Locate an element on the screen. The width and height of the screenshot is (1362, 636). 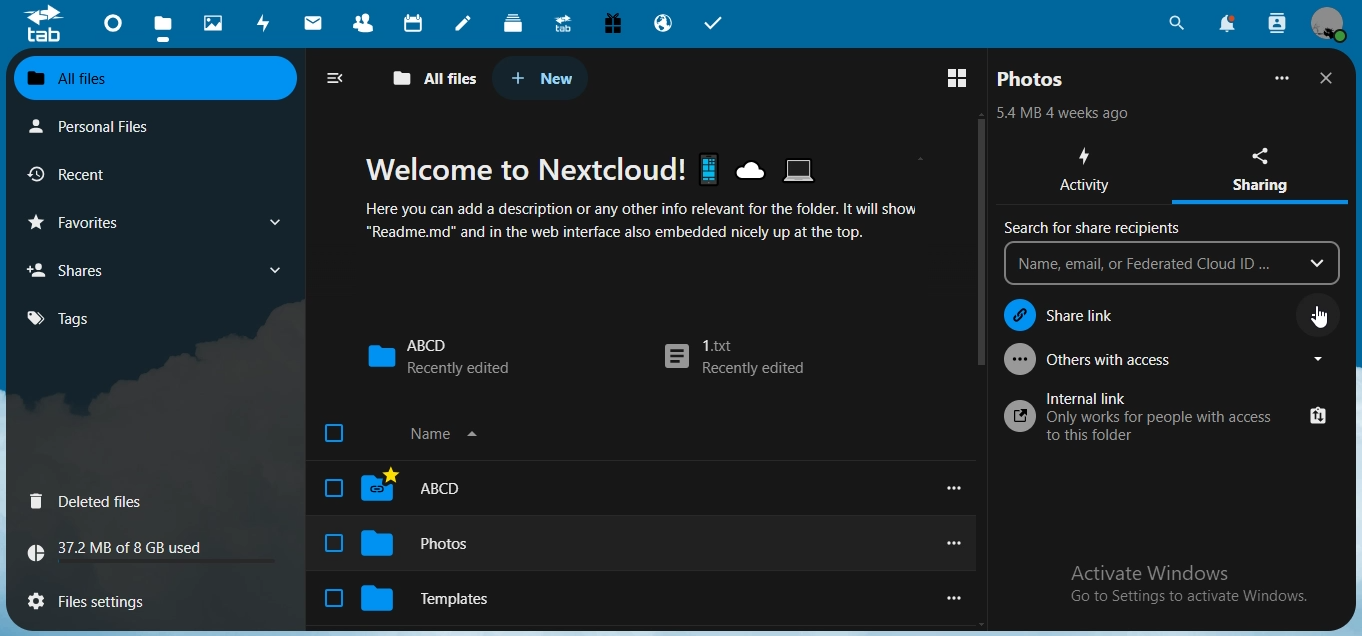
photos is located at coordinates (1033, 79).